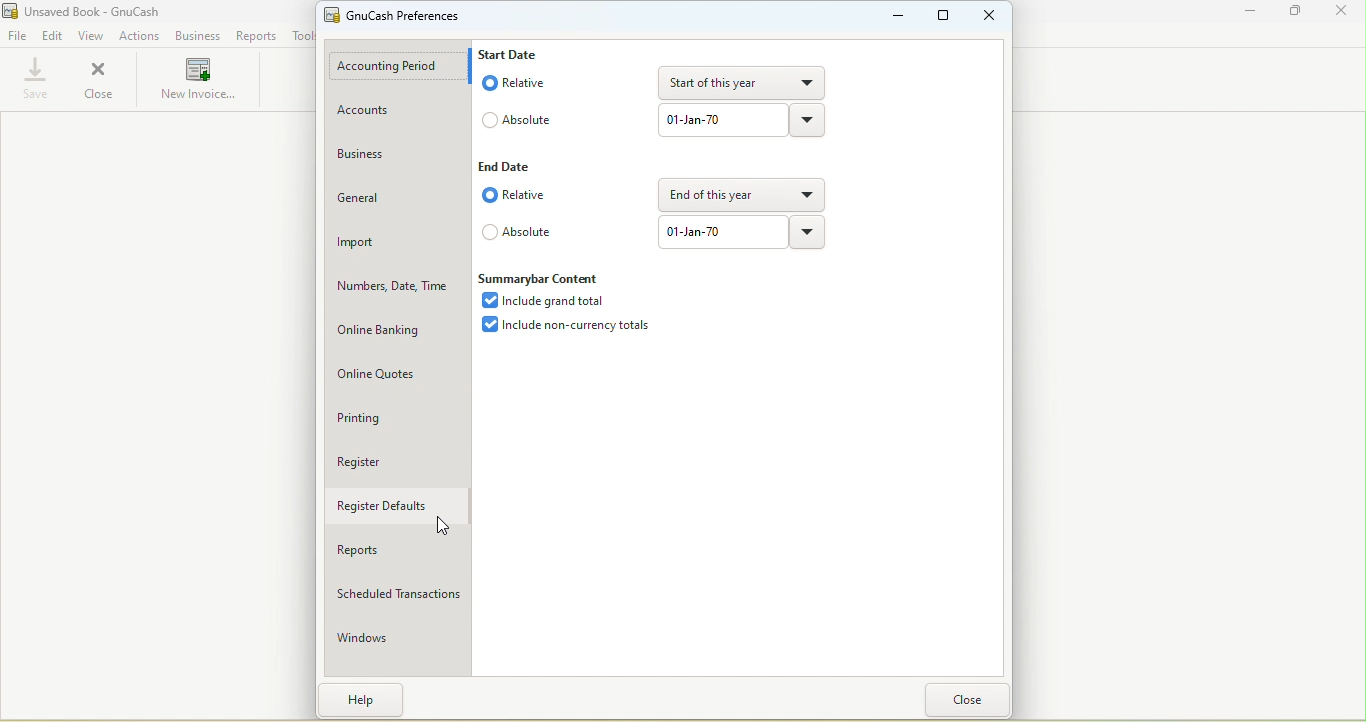 Image resolution: width=1366 pixels, height=722 pixels. Describe the element at coordinates (102, 80) in the screenshot. I see `Close` at that location.